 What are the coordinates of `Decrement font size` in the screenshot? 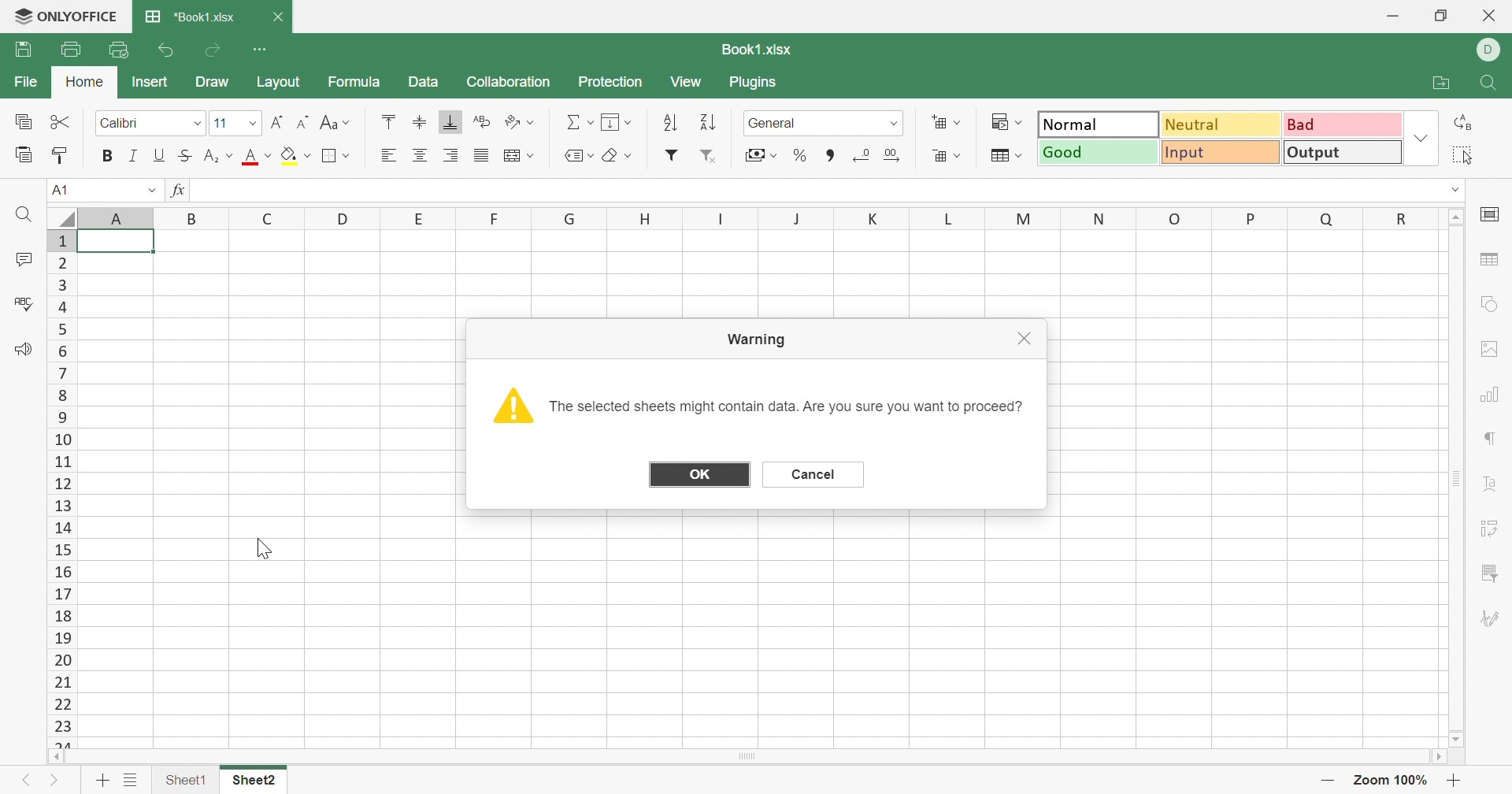 It's located at (301, 121).